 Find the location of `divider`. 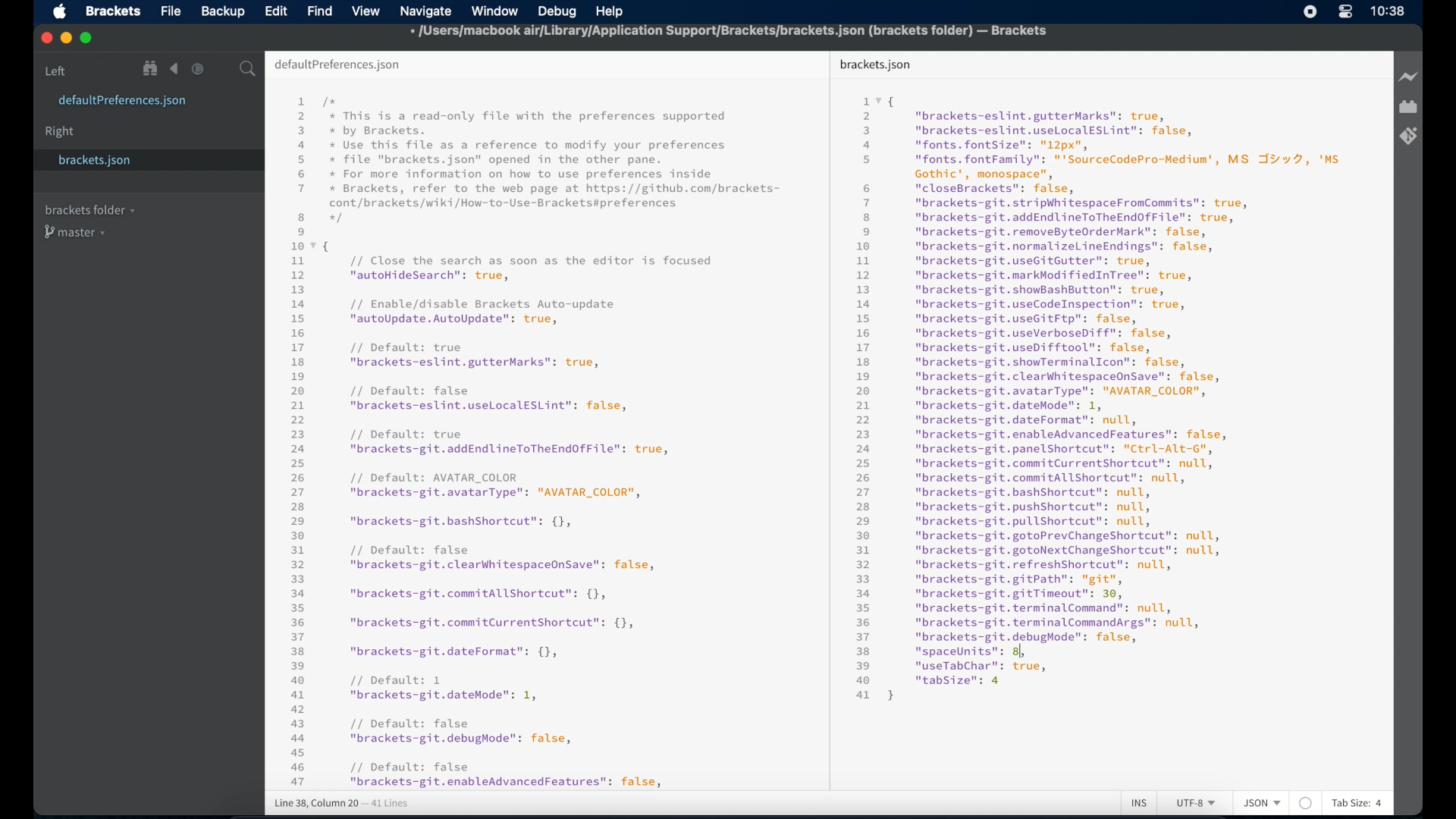

divider is located at coordinates (826, 419).